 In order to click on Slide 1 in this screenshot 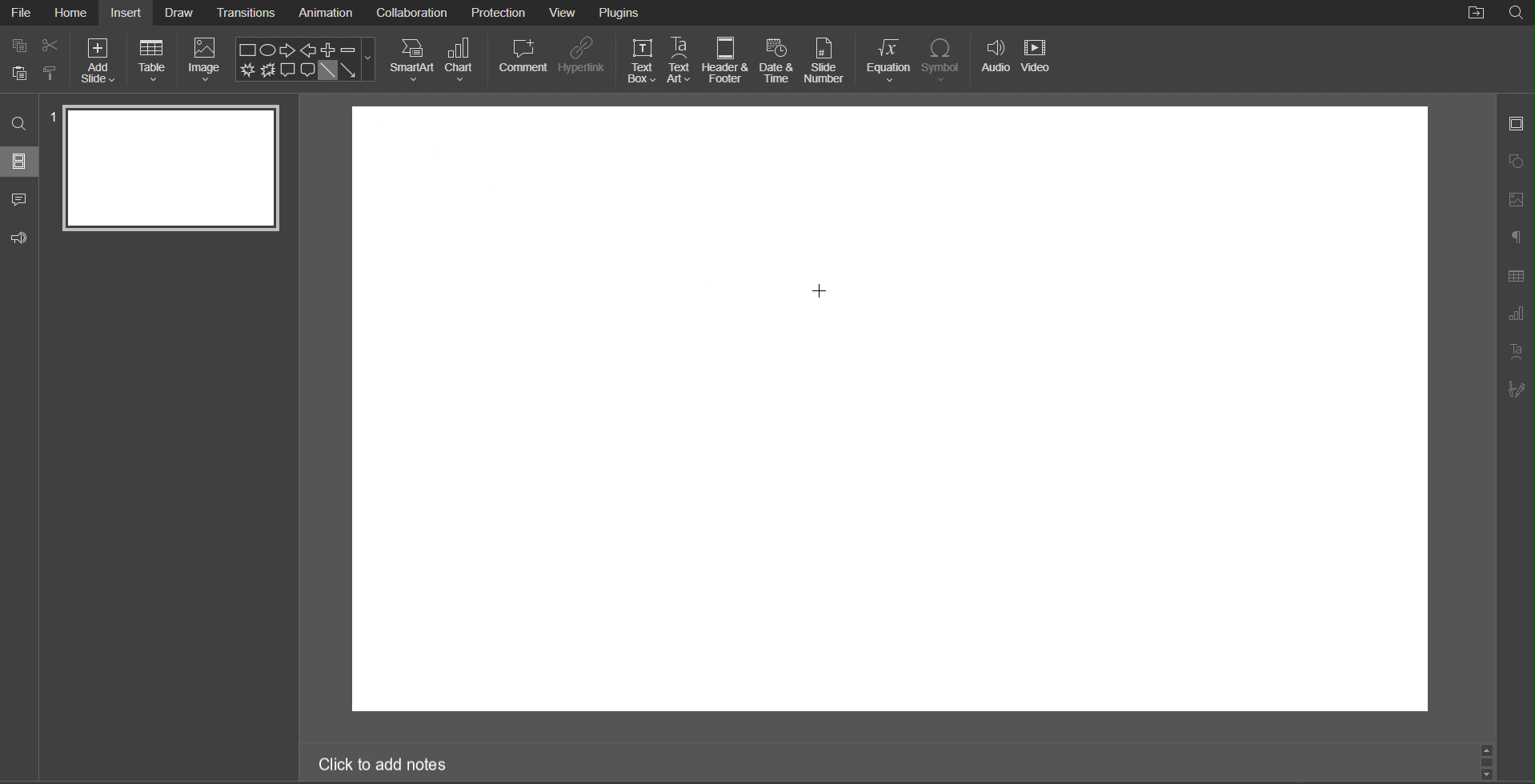, I will do `click(170, 169)`.